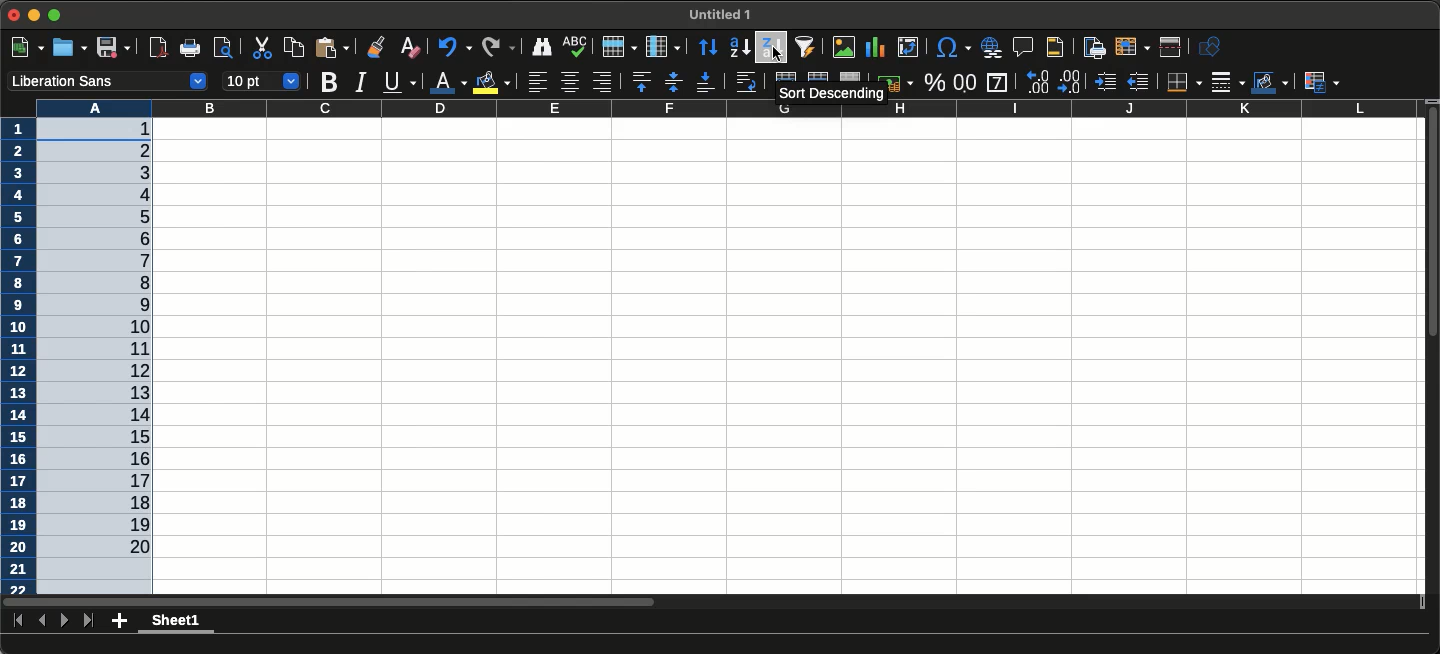  What do you see at coordinates (17, 356) in the screenshot?
I see `Row` at bounding box center [17, 356].